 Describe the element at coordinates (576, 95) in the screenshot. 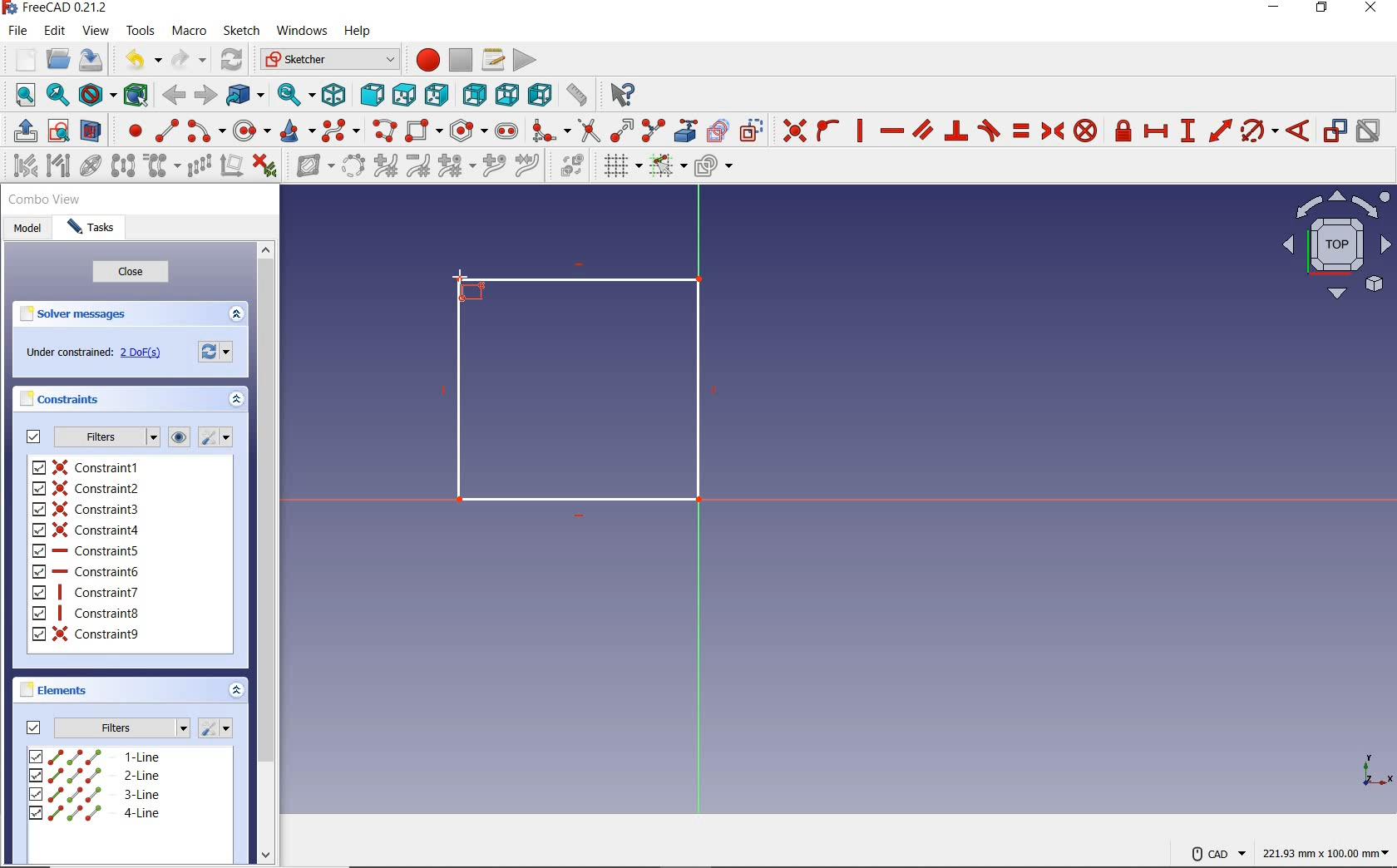

I see `measure distance` at that location.